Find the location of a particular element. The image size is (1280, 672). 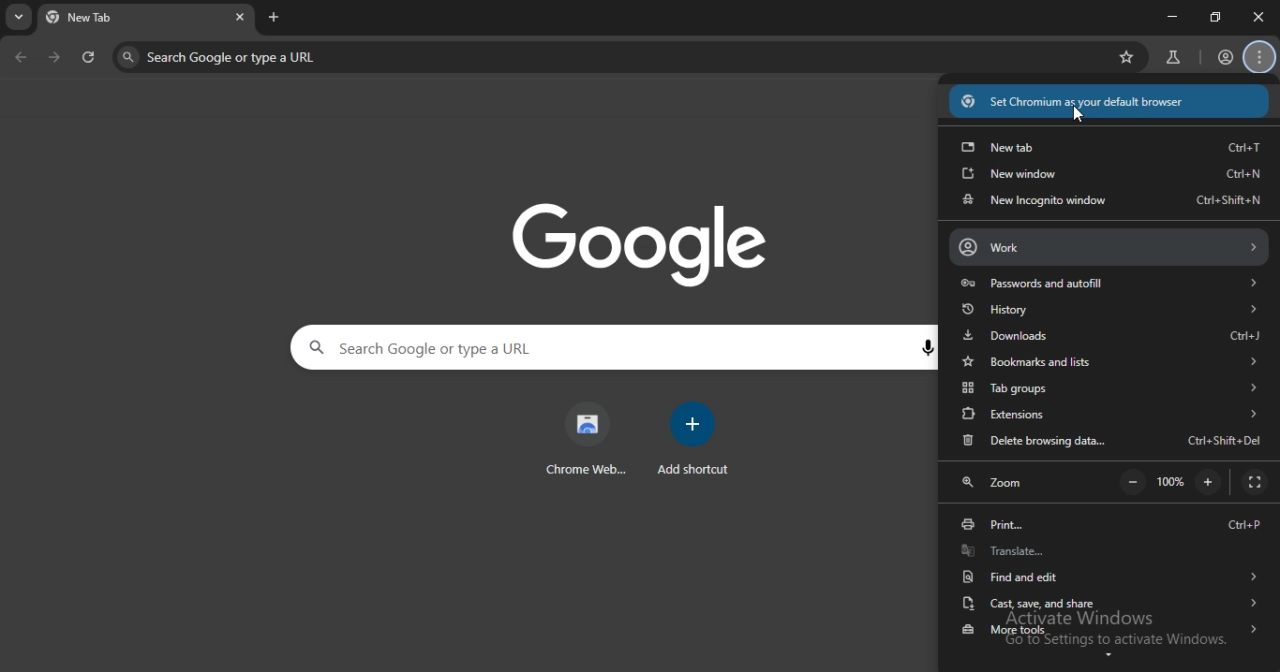

100% is located at coordinates (1172, 483).